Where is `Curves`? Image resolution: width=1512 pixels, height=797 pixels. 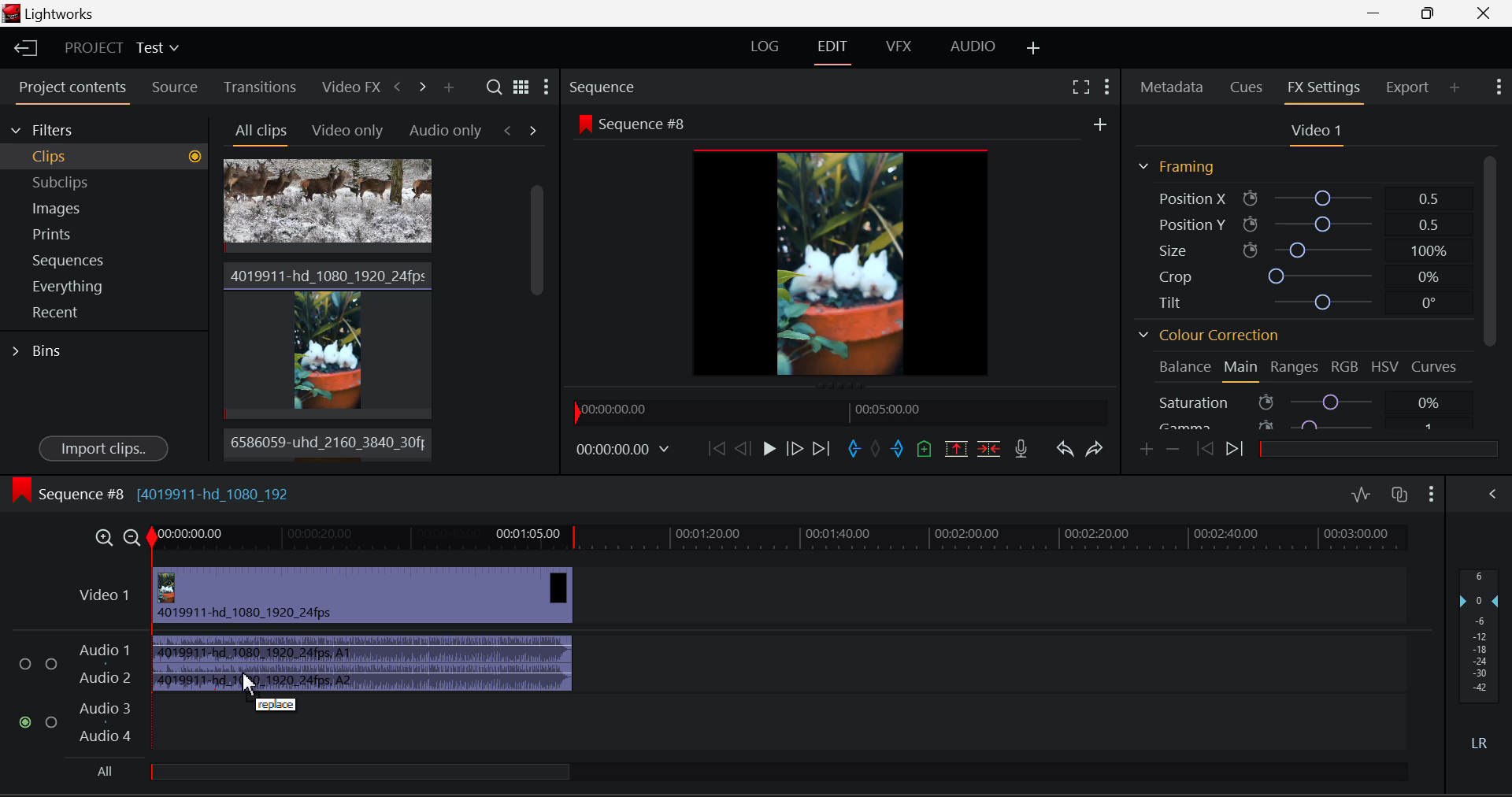 Curves is located at coordinates (1438, 365).